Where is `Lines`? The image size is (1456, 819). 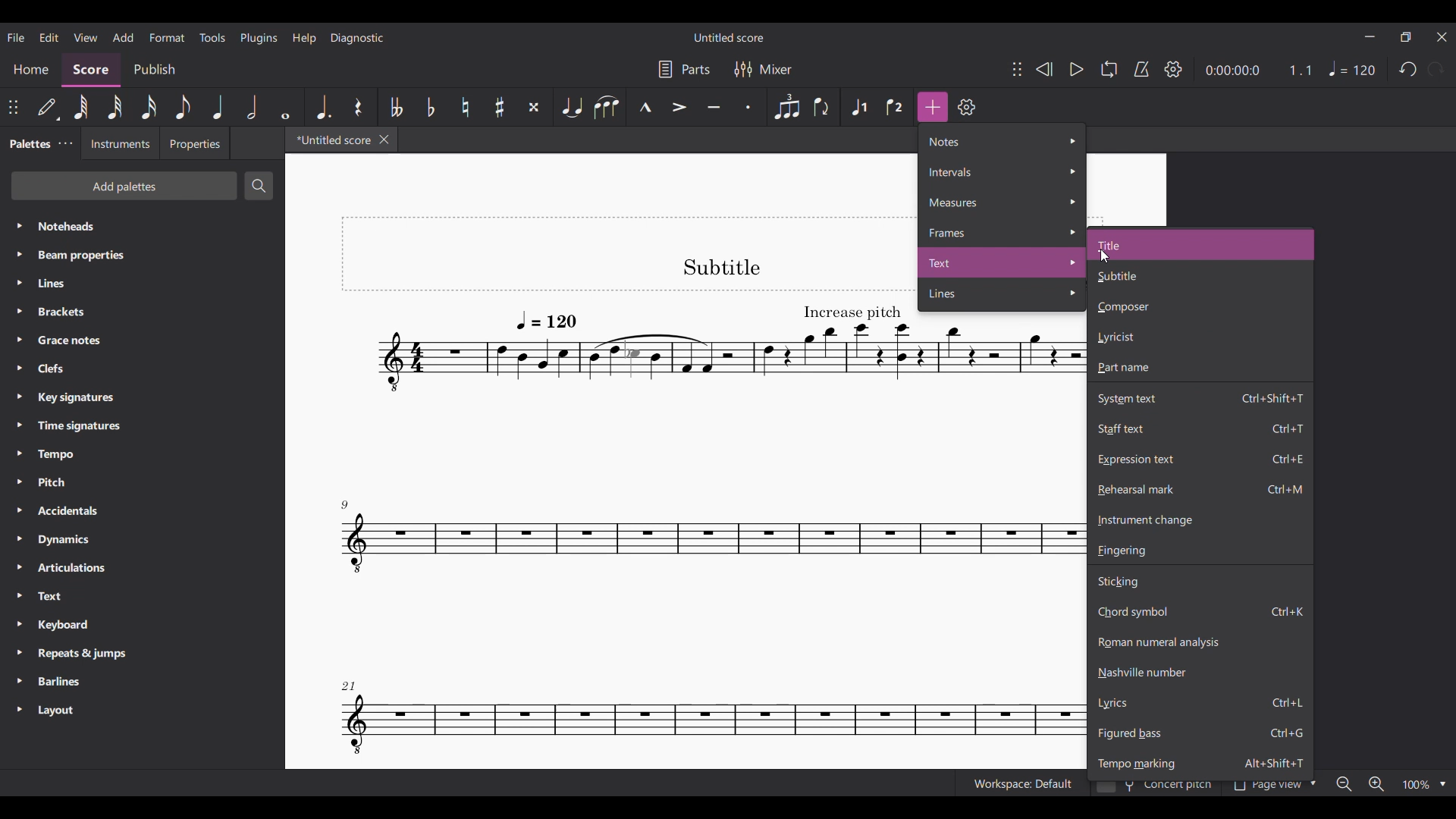
Lines is located at coordinates (143, 283).